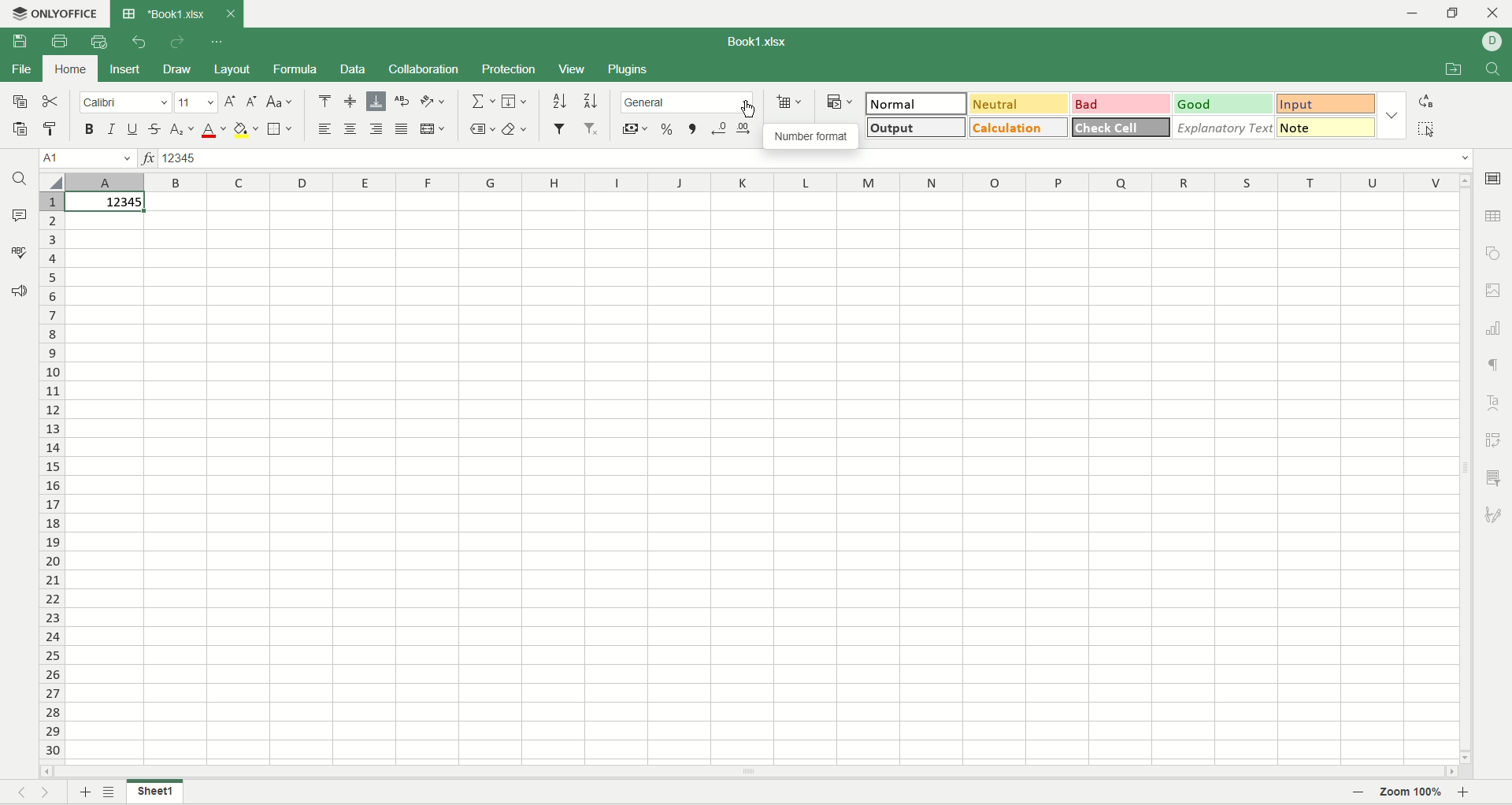 The width and height of the screenshot is (1512, 805). I want to click on paragraph settings, so click(1495, 365).